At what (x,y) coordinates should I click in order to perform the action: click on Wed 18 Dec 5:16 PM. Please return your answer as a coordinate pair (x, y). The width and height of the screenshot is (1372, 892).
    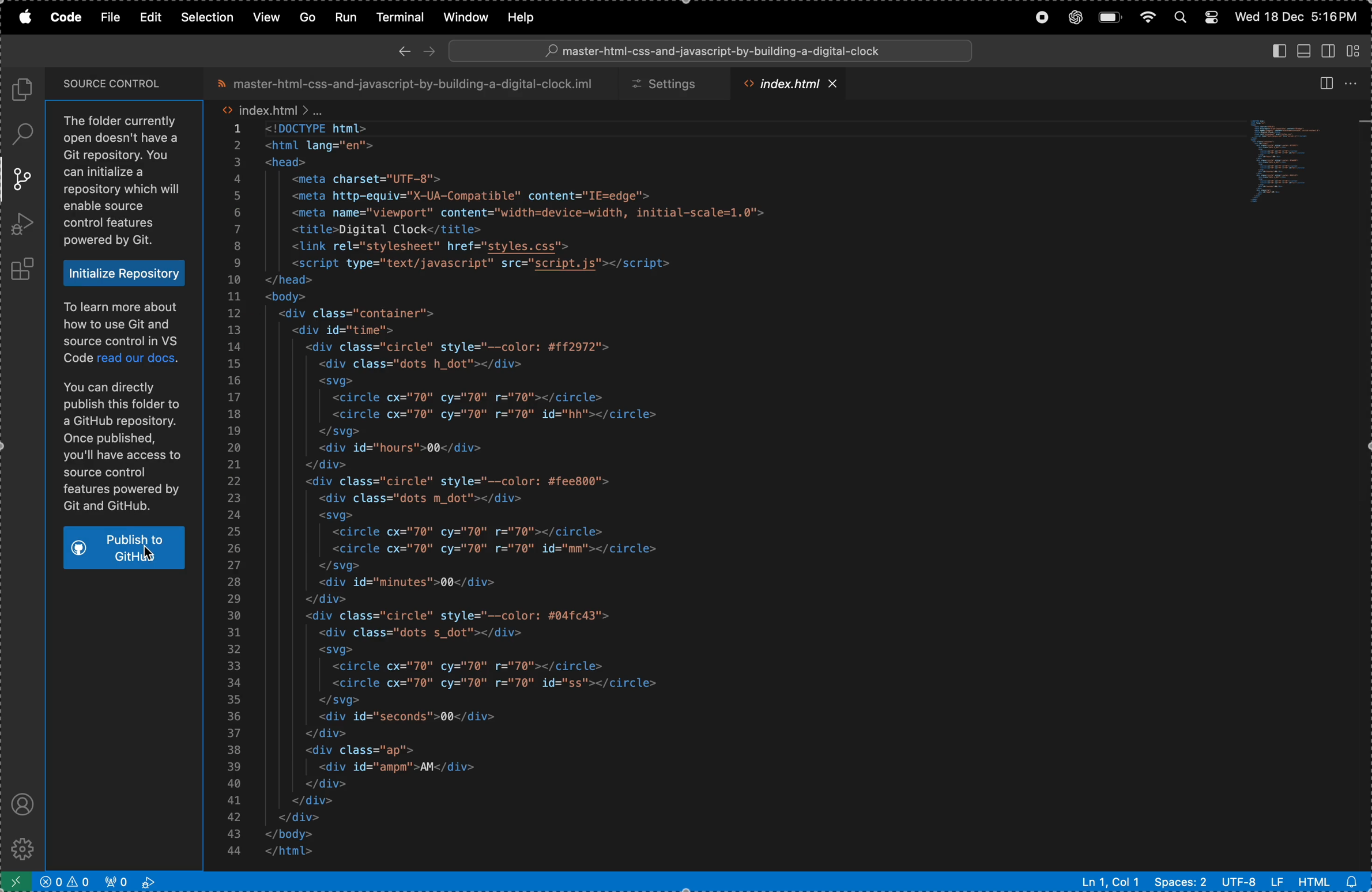
    Looking at the image, I should click on (1295, 16).